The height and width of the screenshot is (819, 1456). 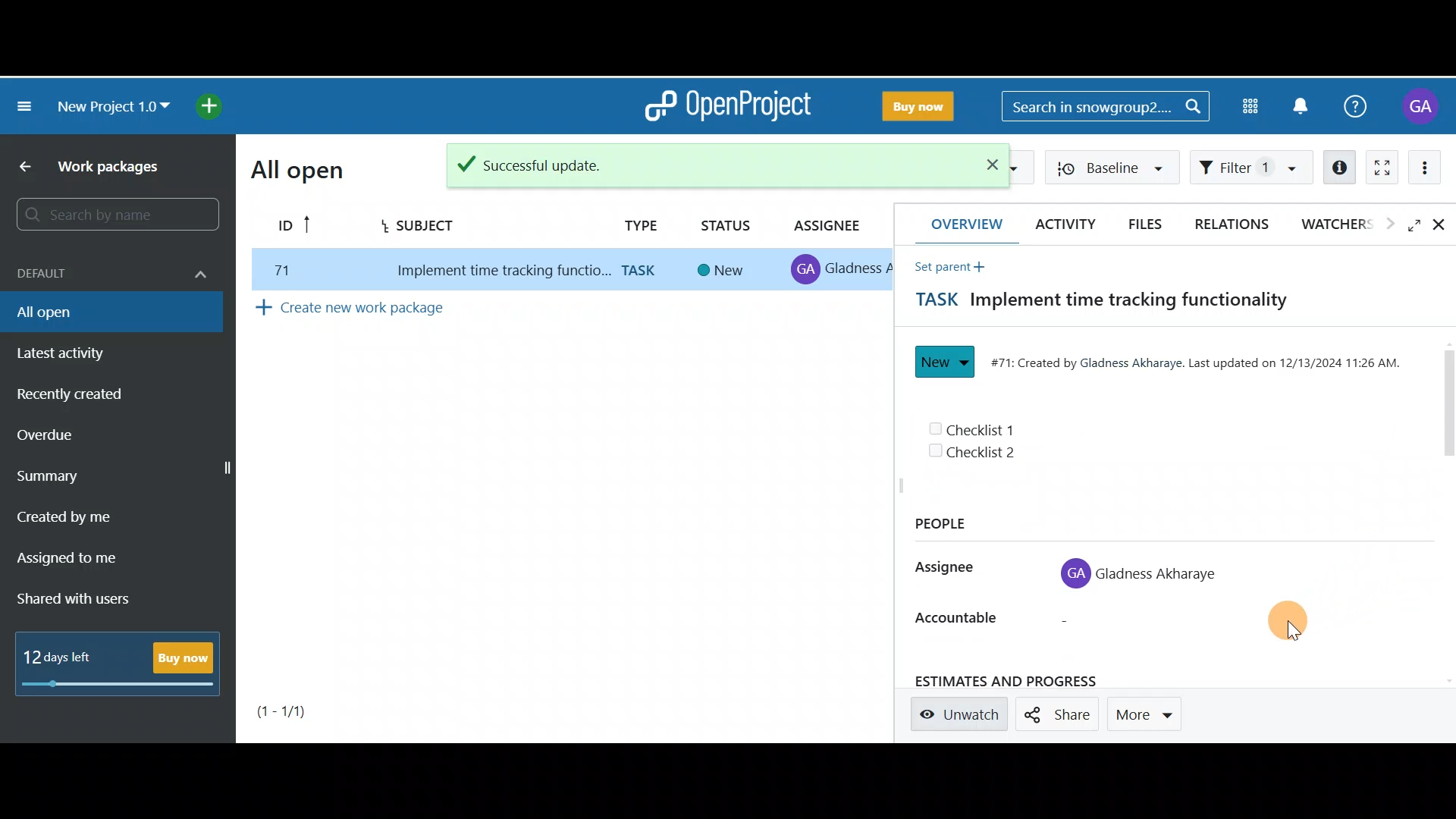 What do you see at coordinates (727, 222) in the screenshot?
I see `Status` at bounding box center [727, 222].